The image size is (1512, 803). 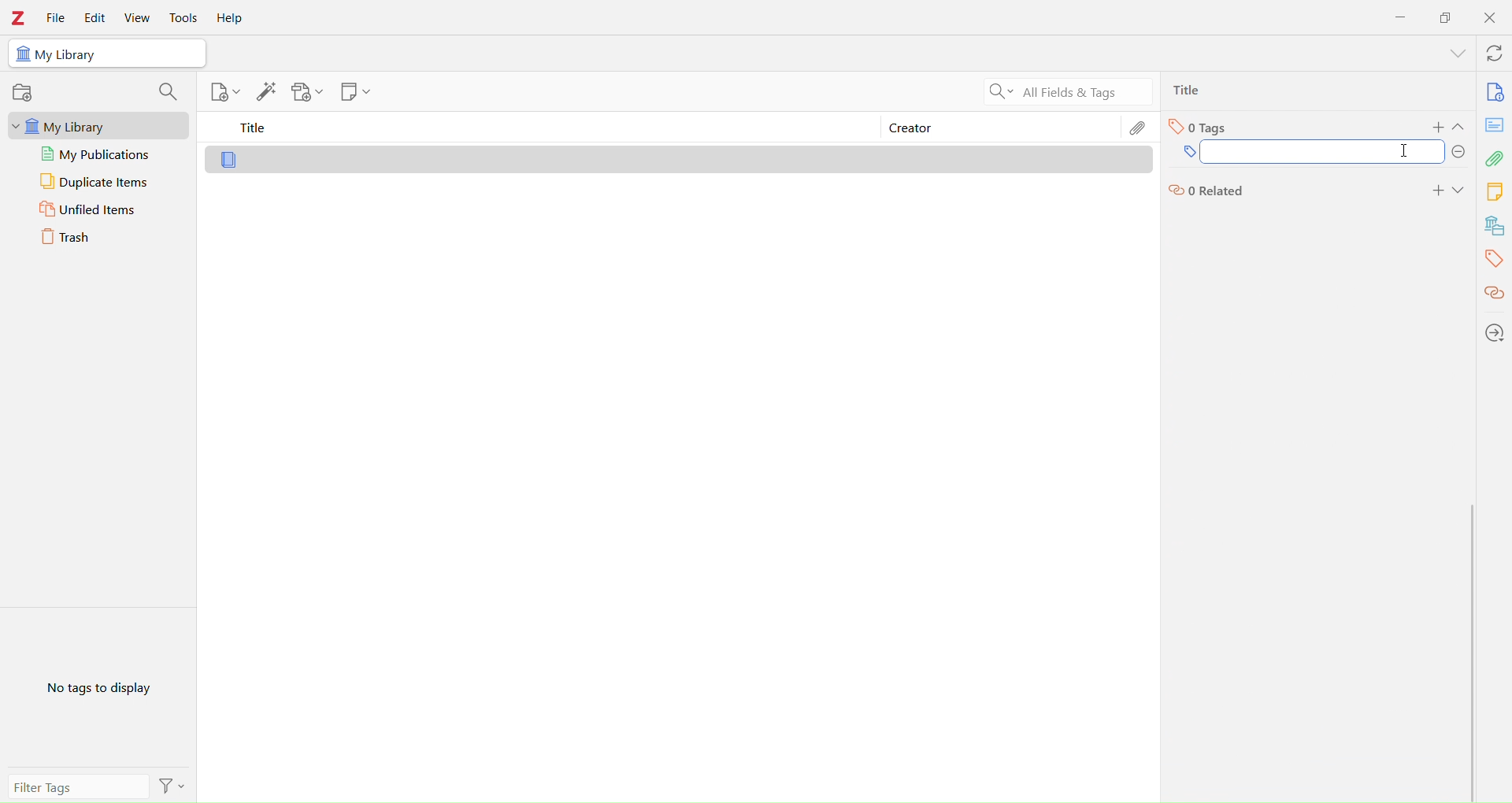 What do you see at coordinates (96, 154) in the screenshot?
I see `My publications` at bounding box center [96, 154].